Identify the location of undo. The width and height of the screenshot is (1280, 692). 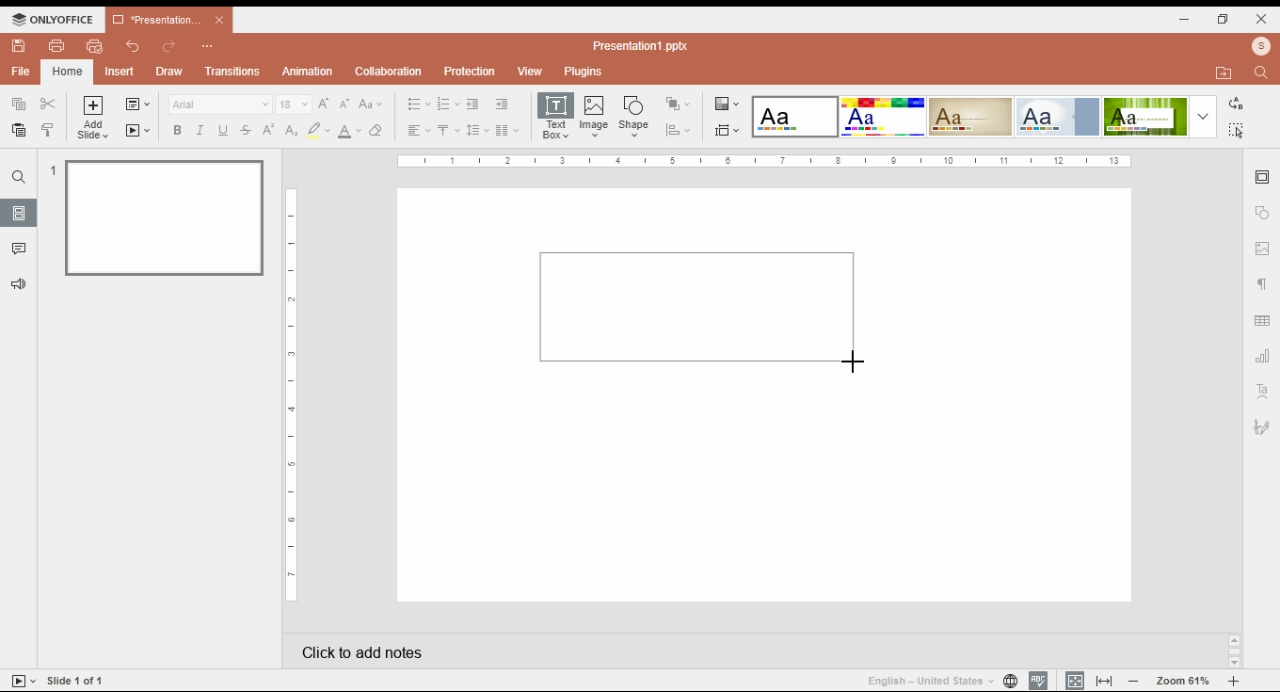
(135, 47).